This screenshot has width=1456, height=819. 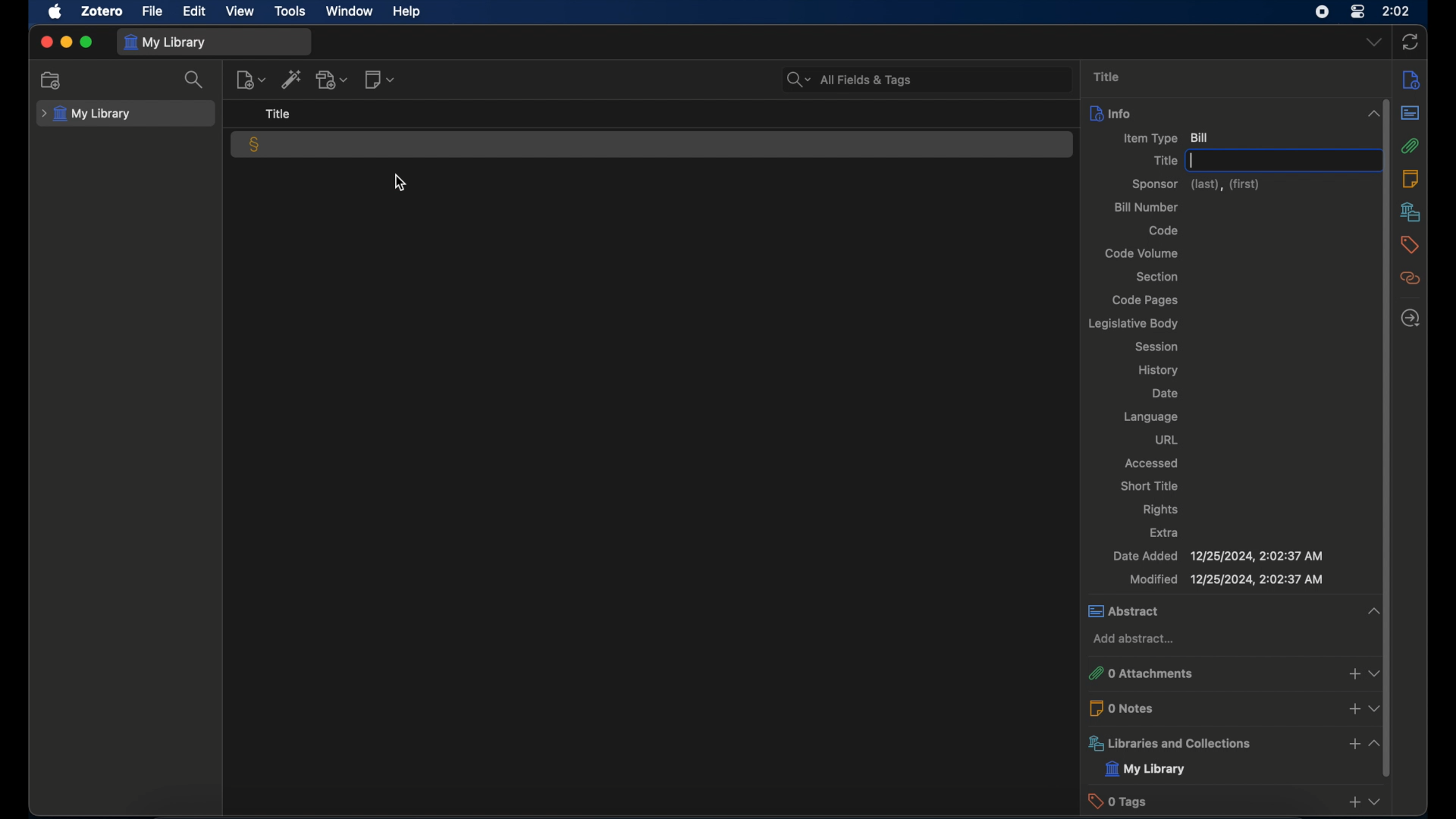 What do you see at coordinates (1150, 418) in the screenshot?
I see `language` at bounding box center [1150, 418].